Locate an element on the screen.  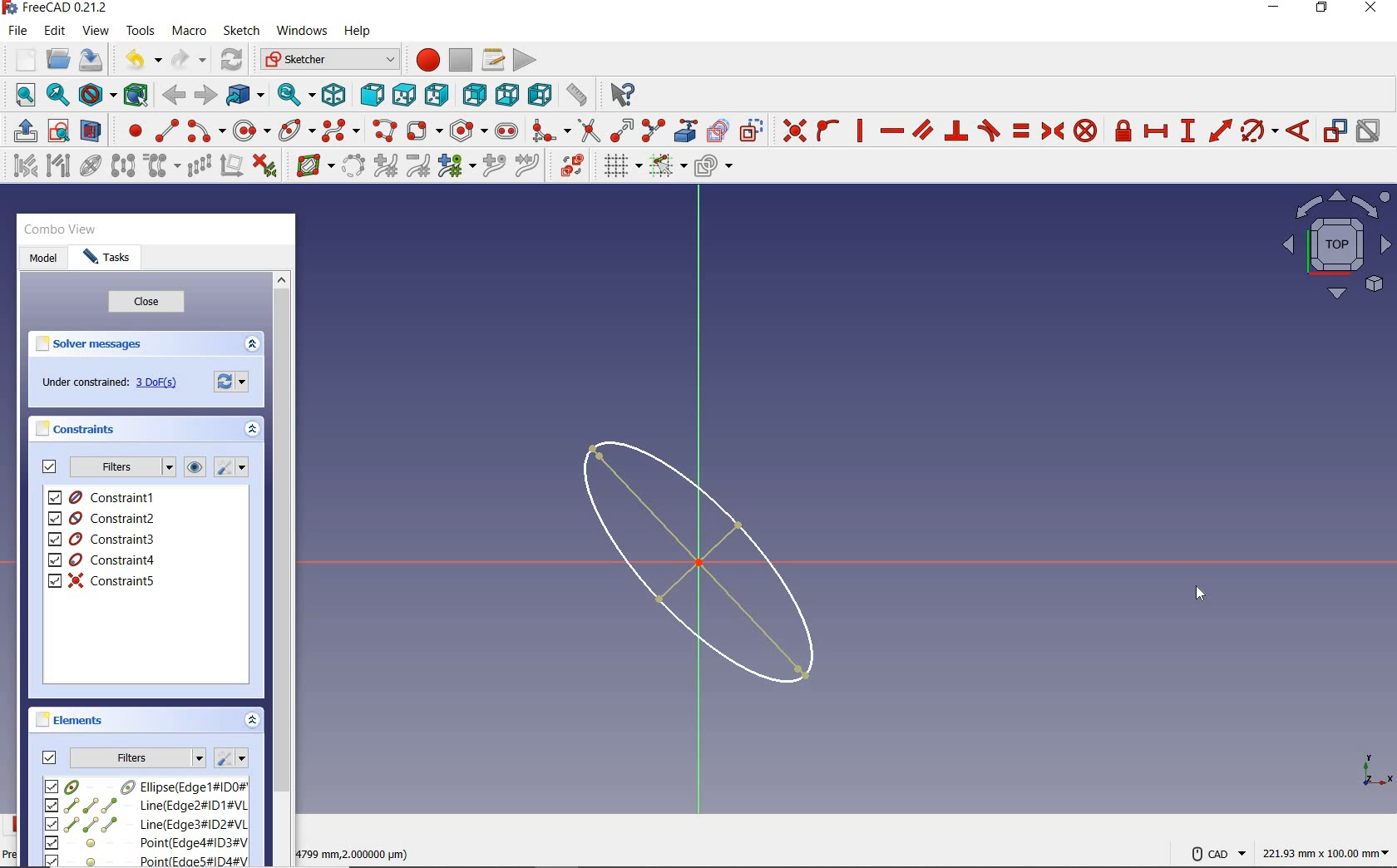
new is located at coordinates (21, 59).